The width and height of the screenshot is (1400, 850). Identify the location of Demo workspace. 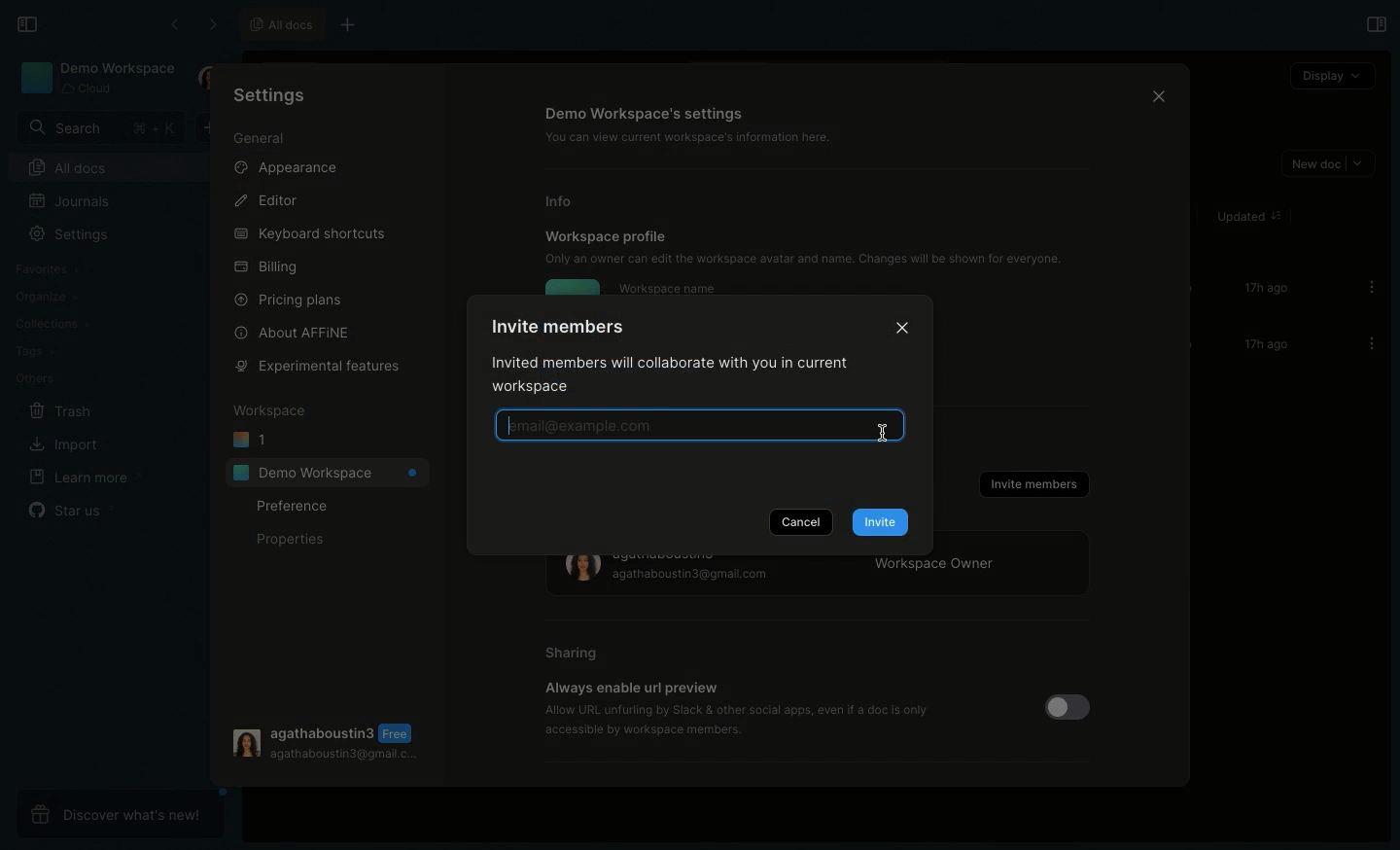
(97, 78).